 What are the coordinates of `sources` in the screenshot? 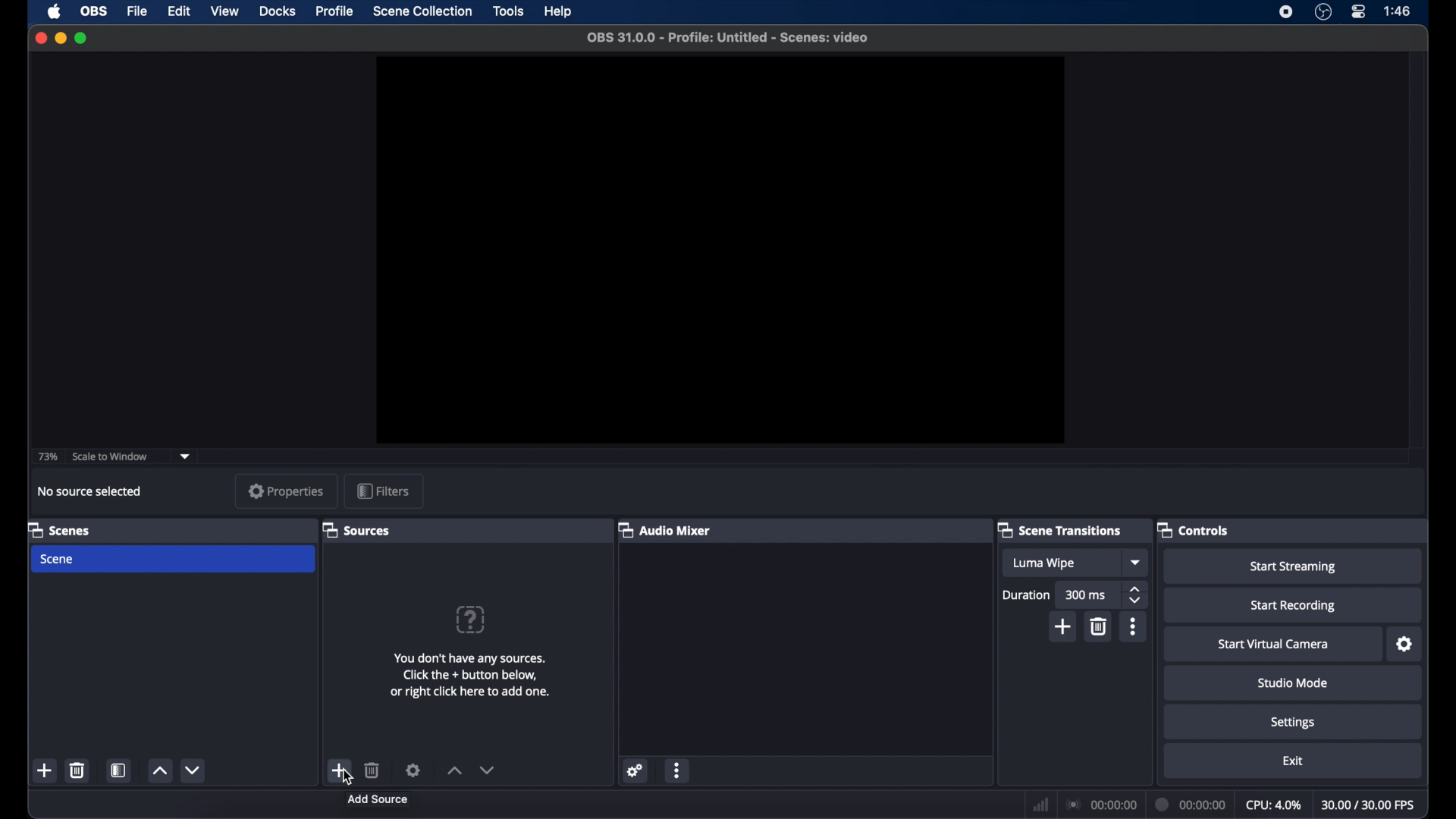 It's located at (356, 531).